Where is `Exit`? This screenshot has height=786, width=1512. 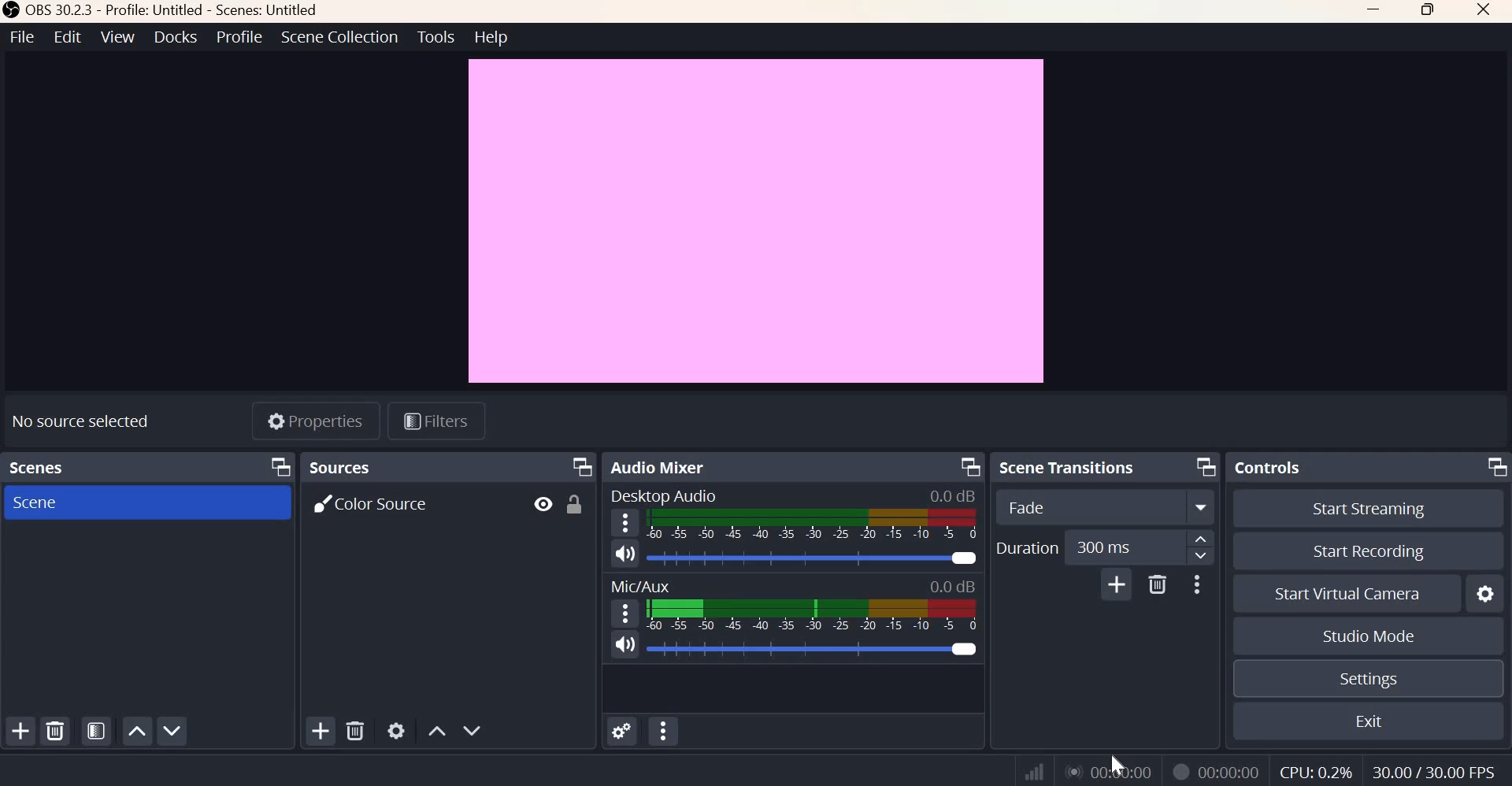
Exit is located at coordinates (1369, 723).